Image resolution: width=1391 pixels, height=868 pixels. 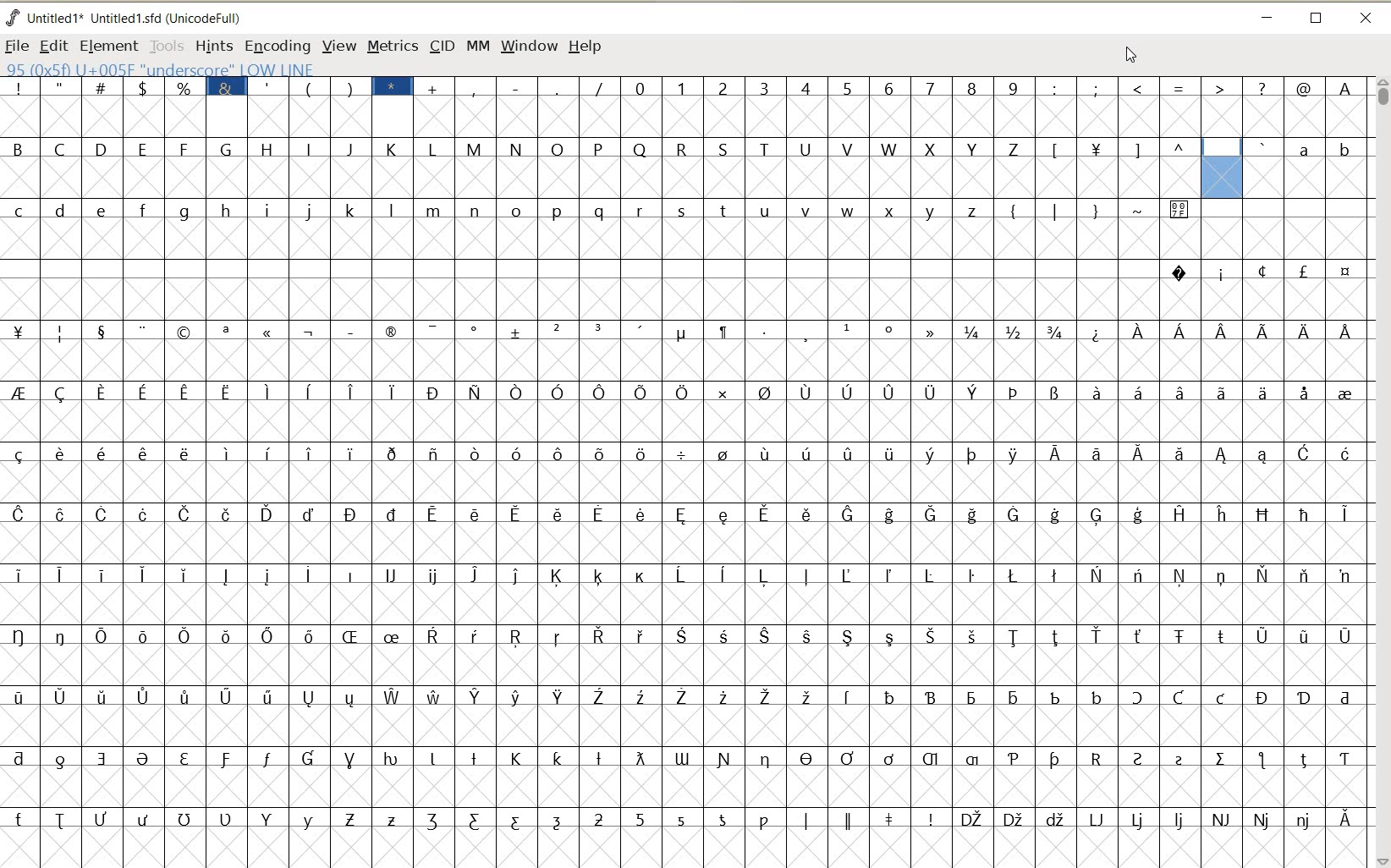 What do you see at coordinates (138, 18) in the screenshot?
I see `Untitled1*Untitled1.sfd (UnicodeFull)` at bounding box center [138, 18].